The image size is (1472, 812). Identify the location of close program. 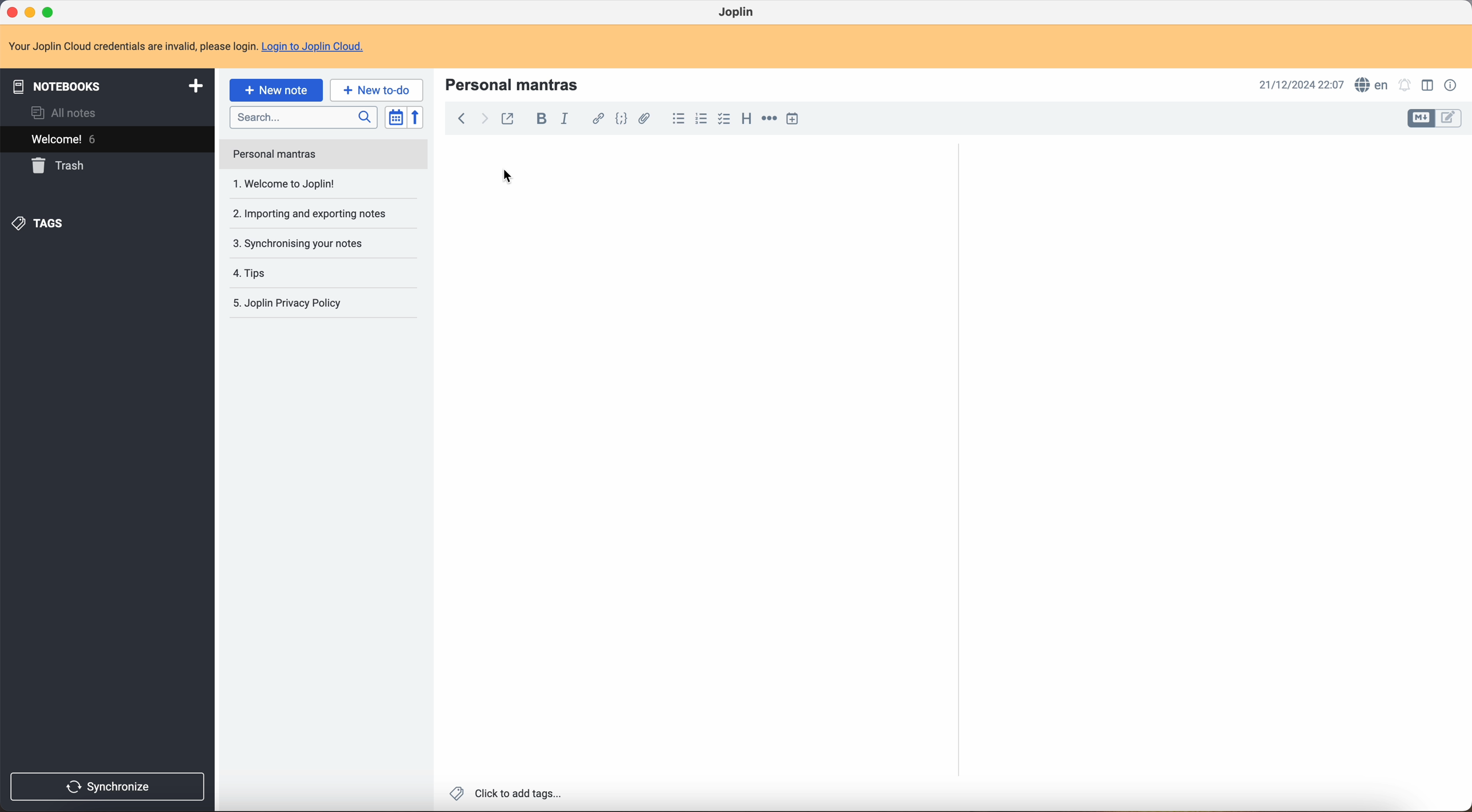
(11, 13).